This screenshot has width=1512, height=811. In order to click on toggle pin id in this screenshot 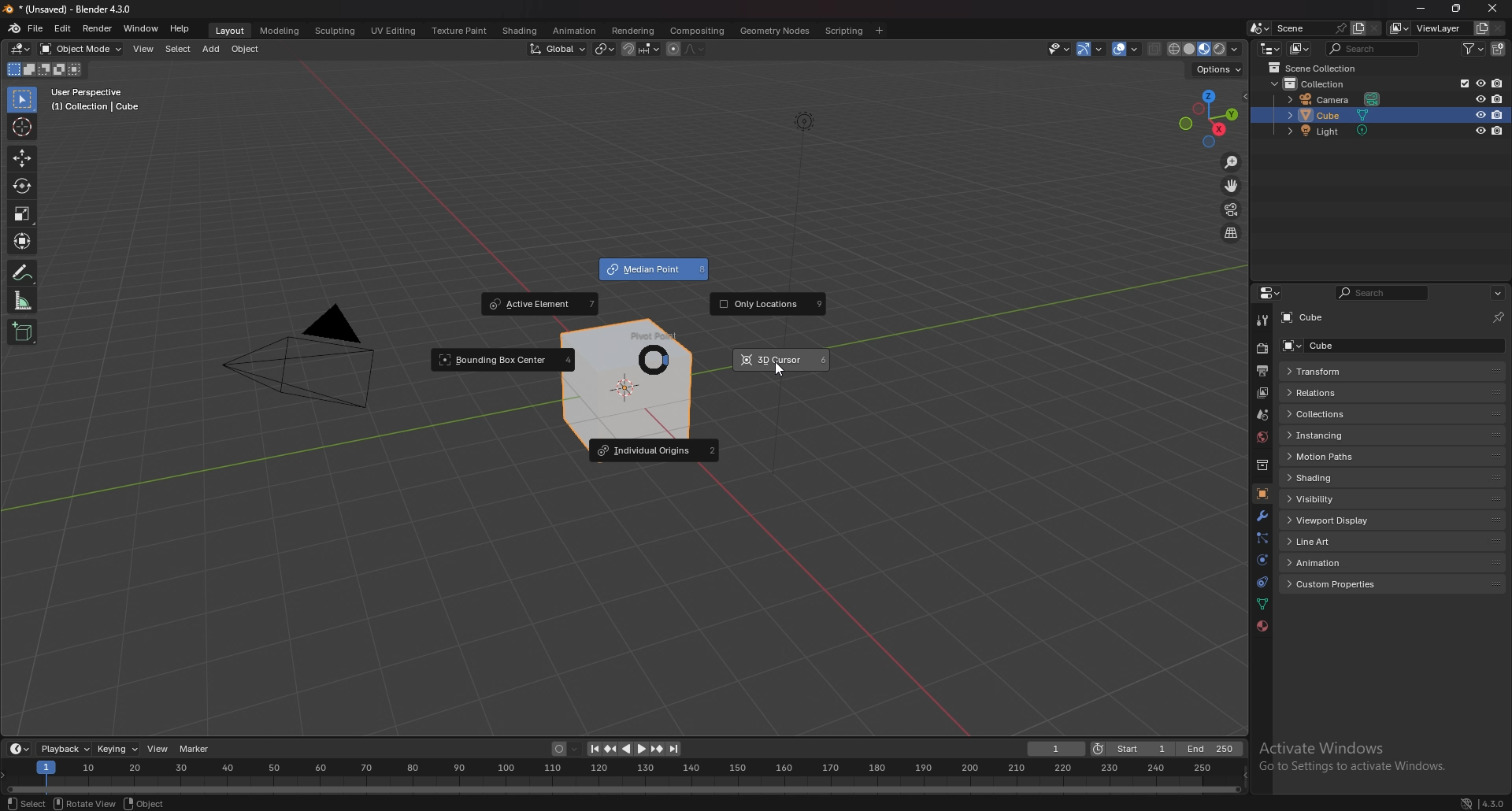, I will do `click(1499, 316)`.